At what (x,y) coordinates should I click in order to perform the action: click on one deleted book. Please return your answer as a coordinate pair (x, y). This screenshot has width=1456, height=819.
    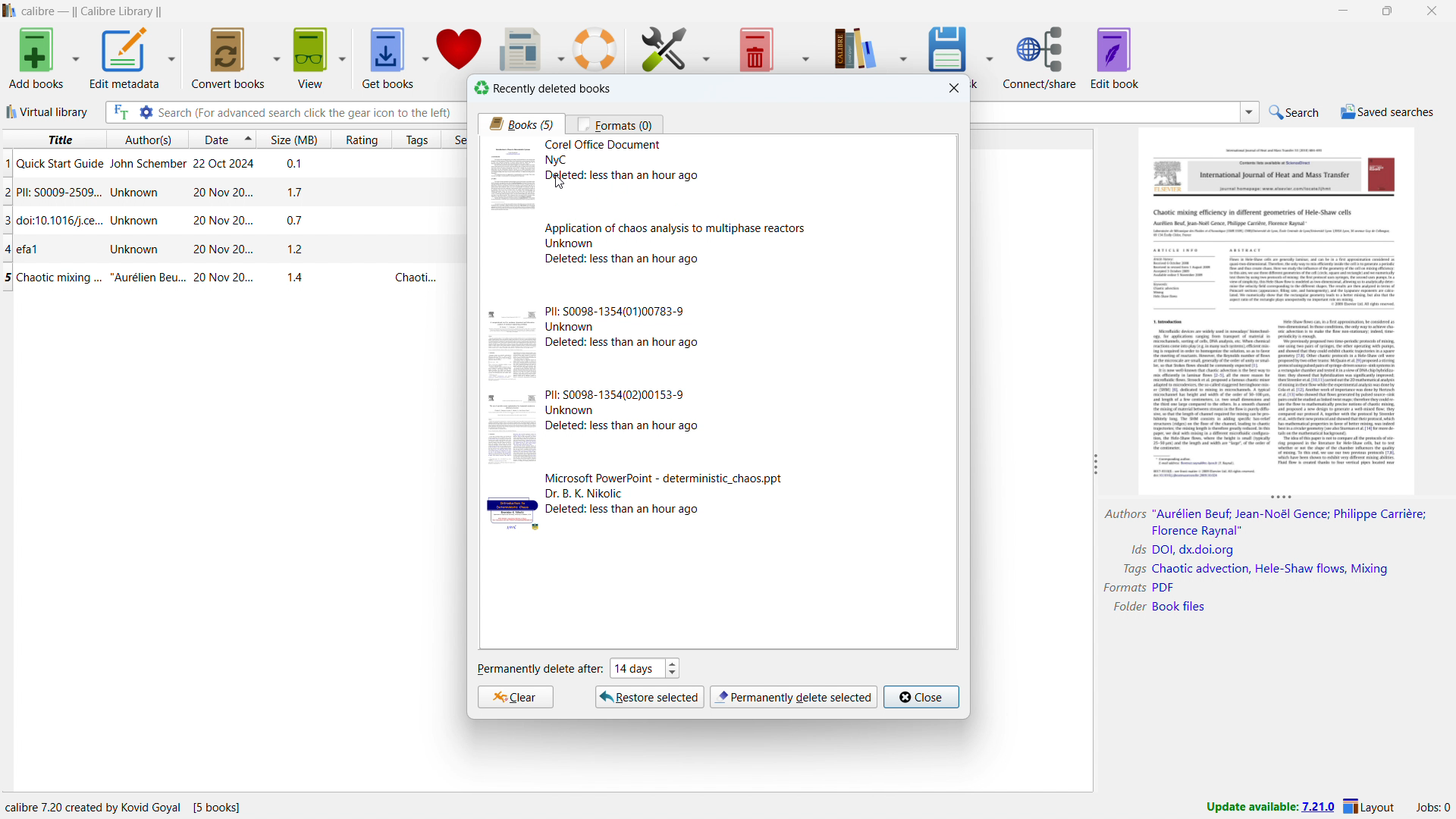
    Looking at the image, I should click on (718, 500).